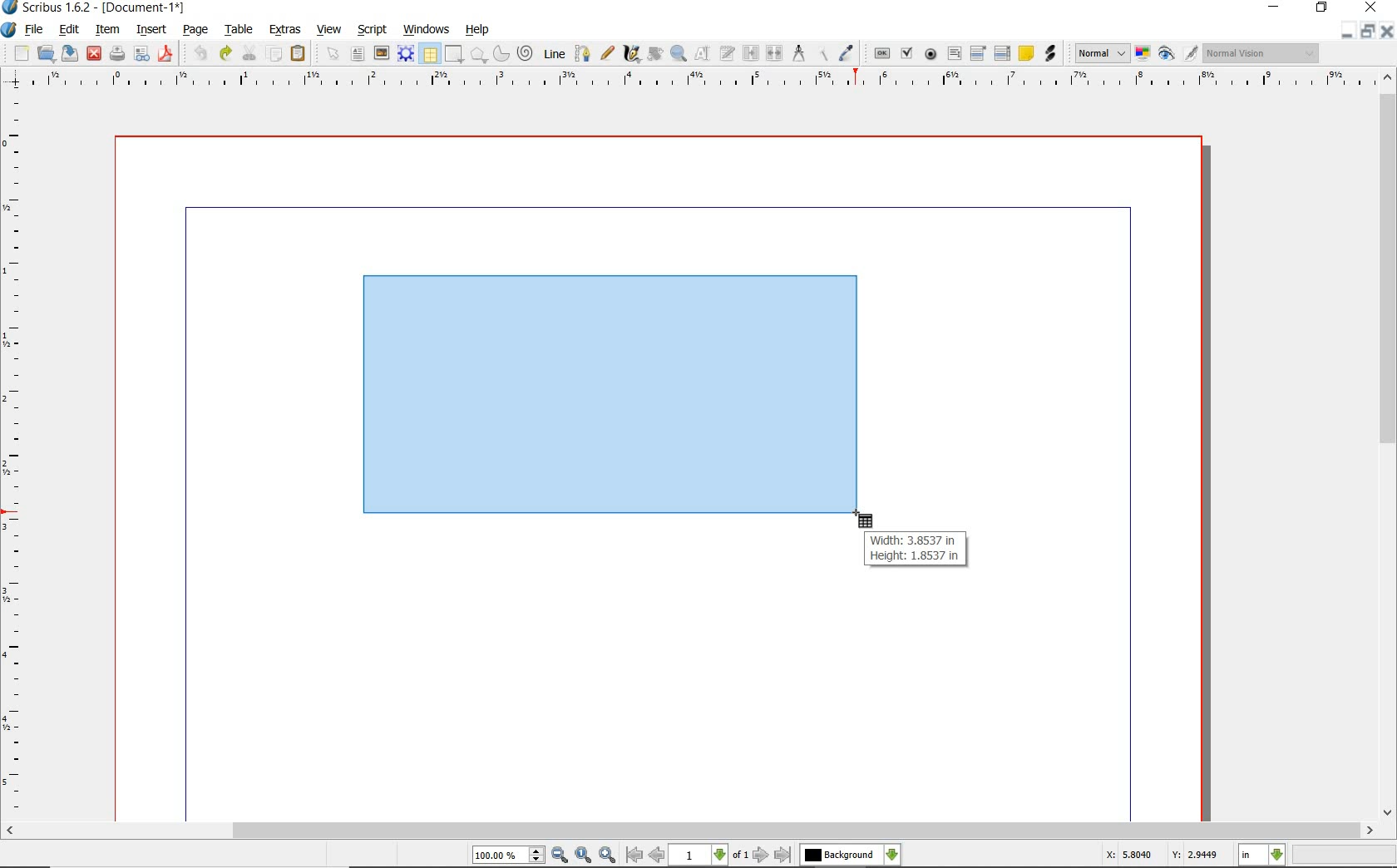 The width and height of the screenshot is (1397, 868). What do you see at coordinates (1002, 53) in the screenshot?
I see `PDF List Box` at bounding box center [1002, 53].